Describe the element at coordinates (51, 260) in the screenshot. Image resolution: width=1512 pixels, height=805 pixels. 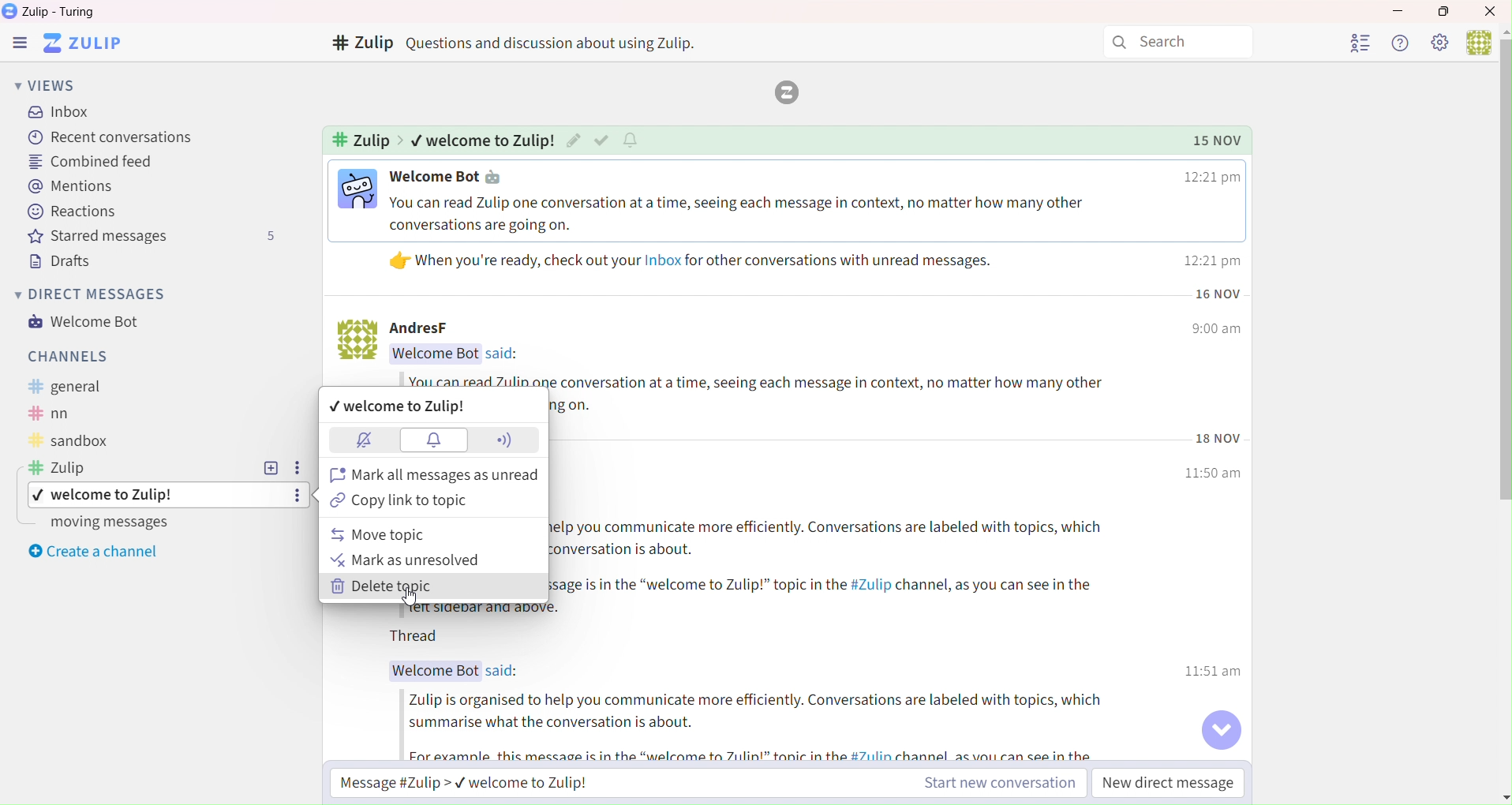
I see `Drafts` at that location.